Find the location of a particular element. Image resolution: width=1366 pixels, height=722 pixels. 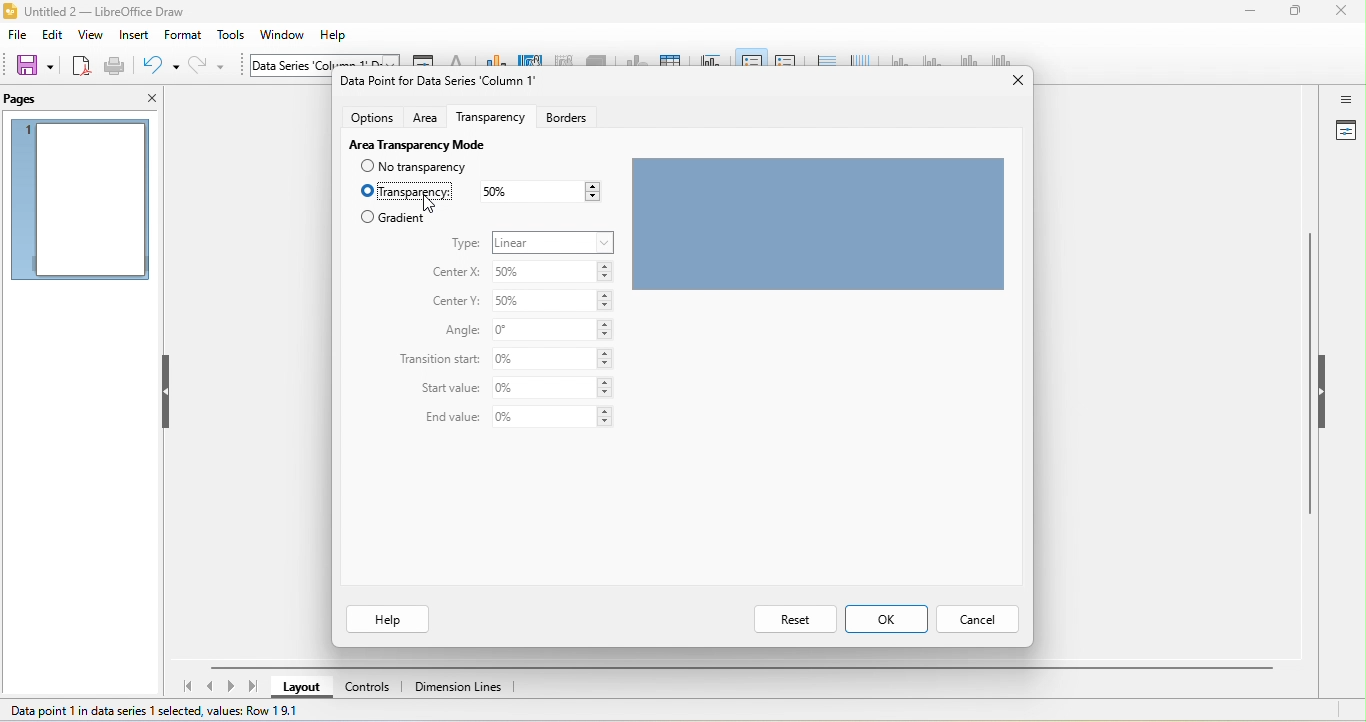

titles is located at coordinates (708, 57).